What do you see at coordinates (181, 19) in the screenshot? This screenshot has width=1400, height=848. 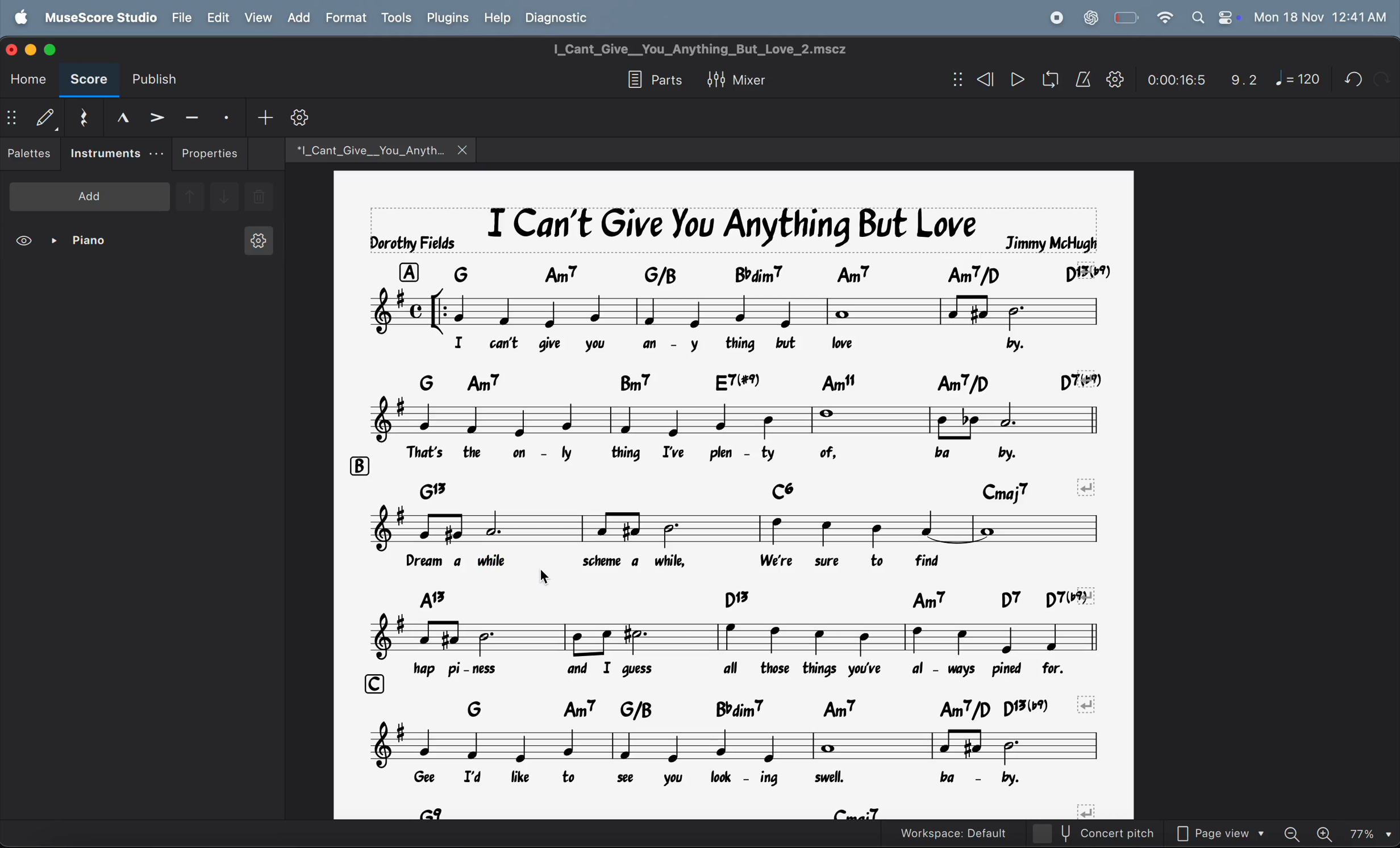 I see `file` at bounding box center [181, 19].